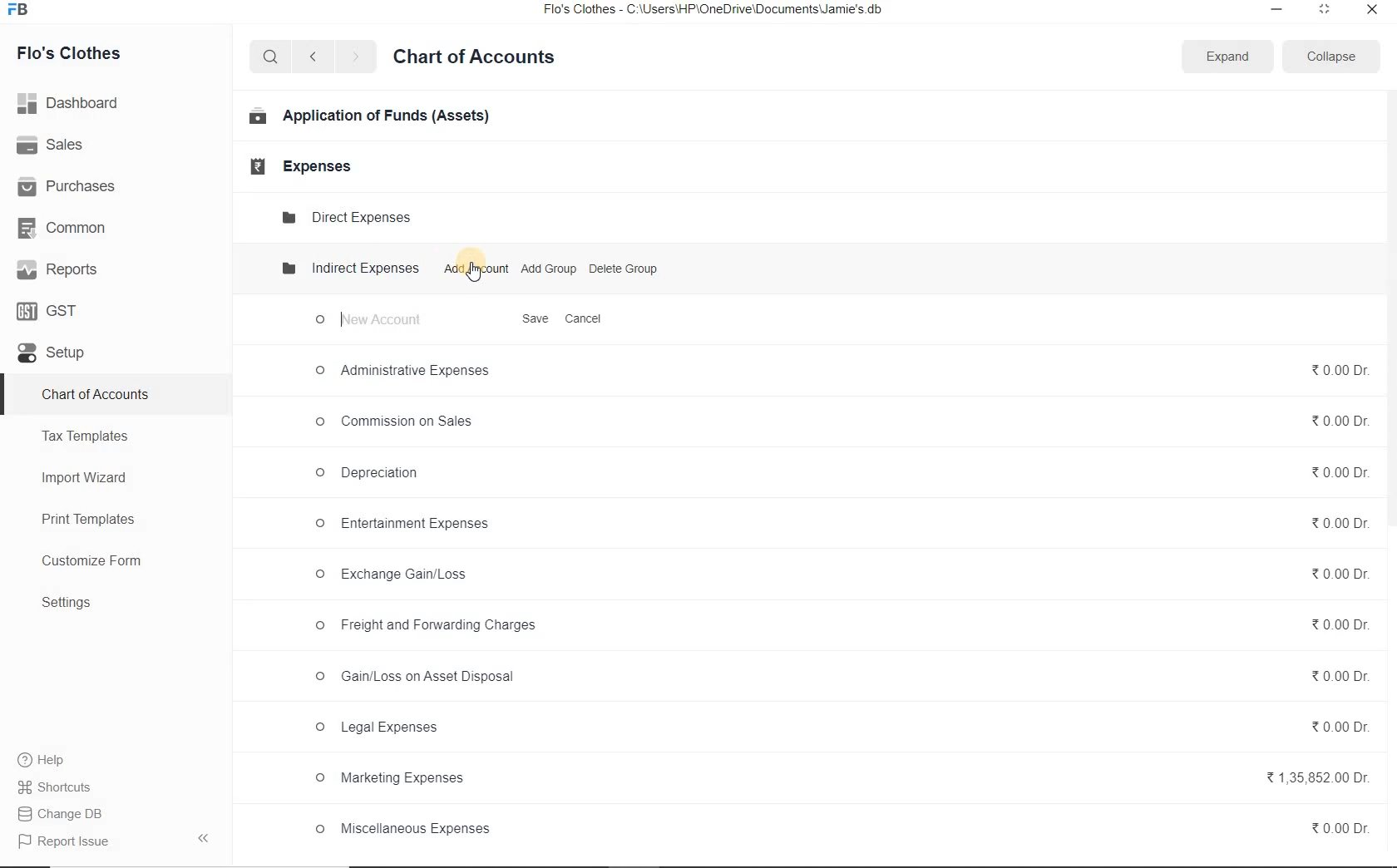  Describe the element at coordinates (22, 11) in the screenshot. I see `frappe books logo` at that location.